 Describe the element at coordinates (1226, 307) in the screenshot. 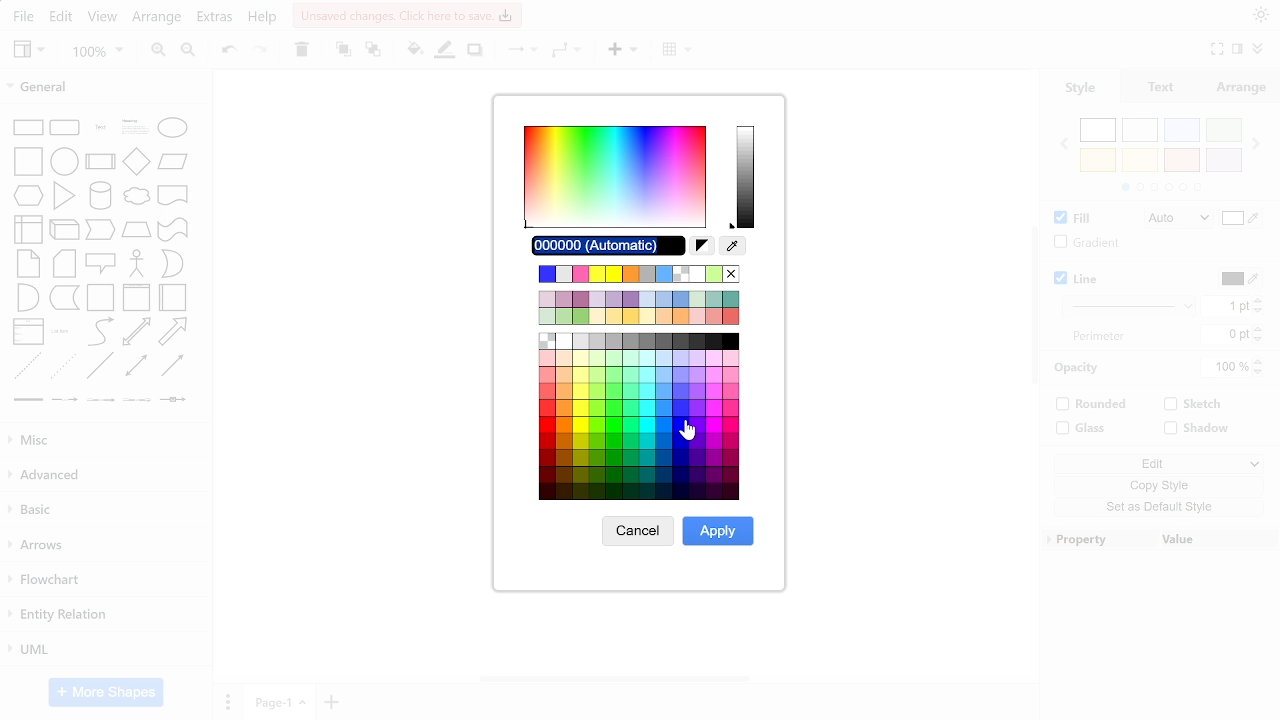

I see `current line width` at that location.